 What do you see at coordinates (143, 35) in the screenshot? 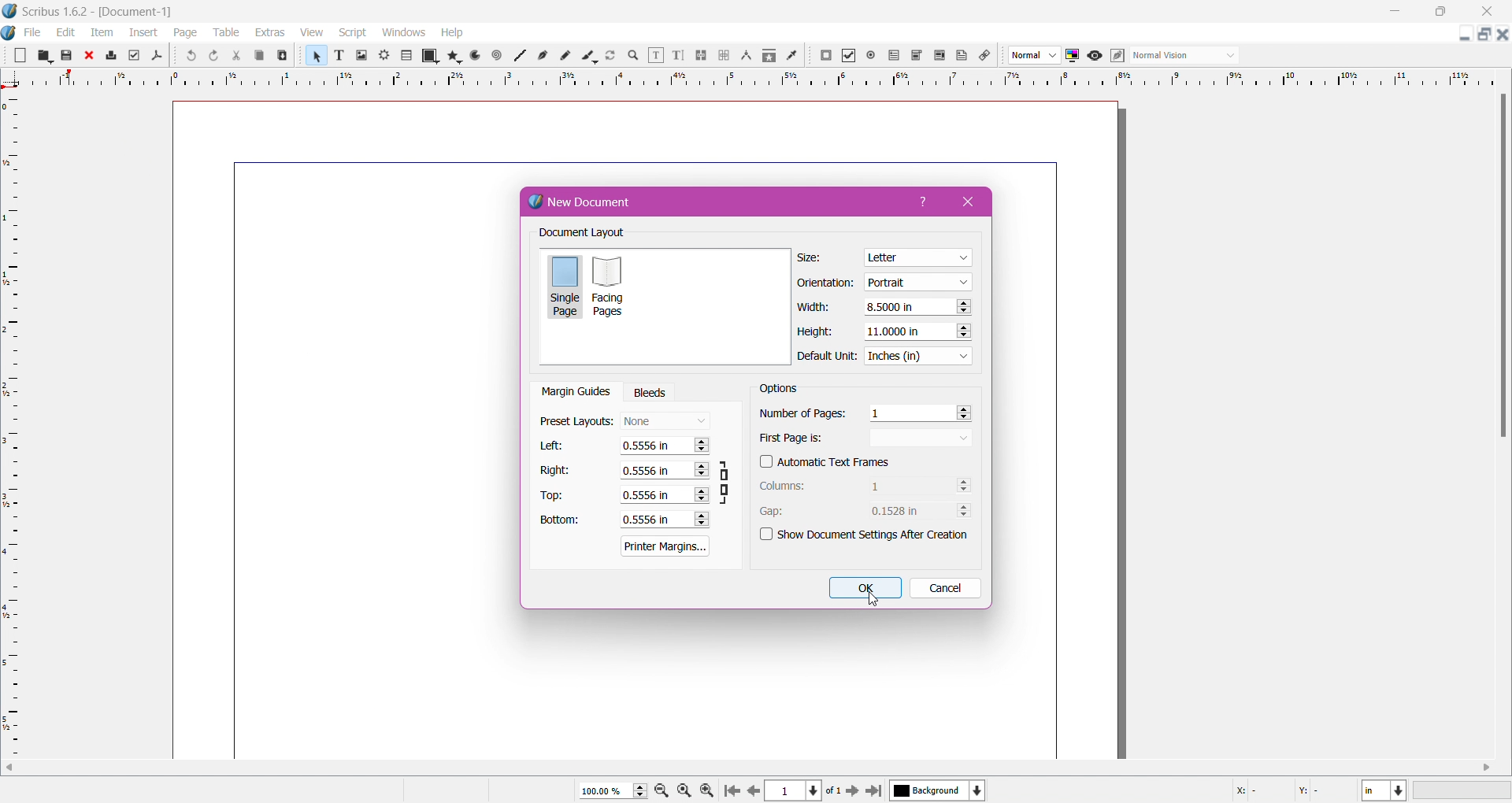
I see `Insert` at bounding box center [143, 35].